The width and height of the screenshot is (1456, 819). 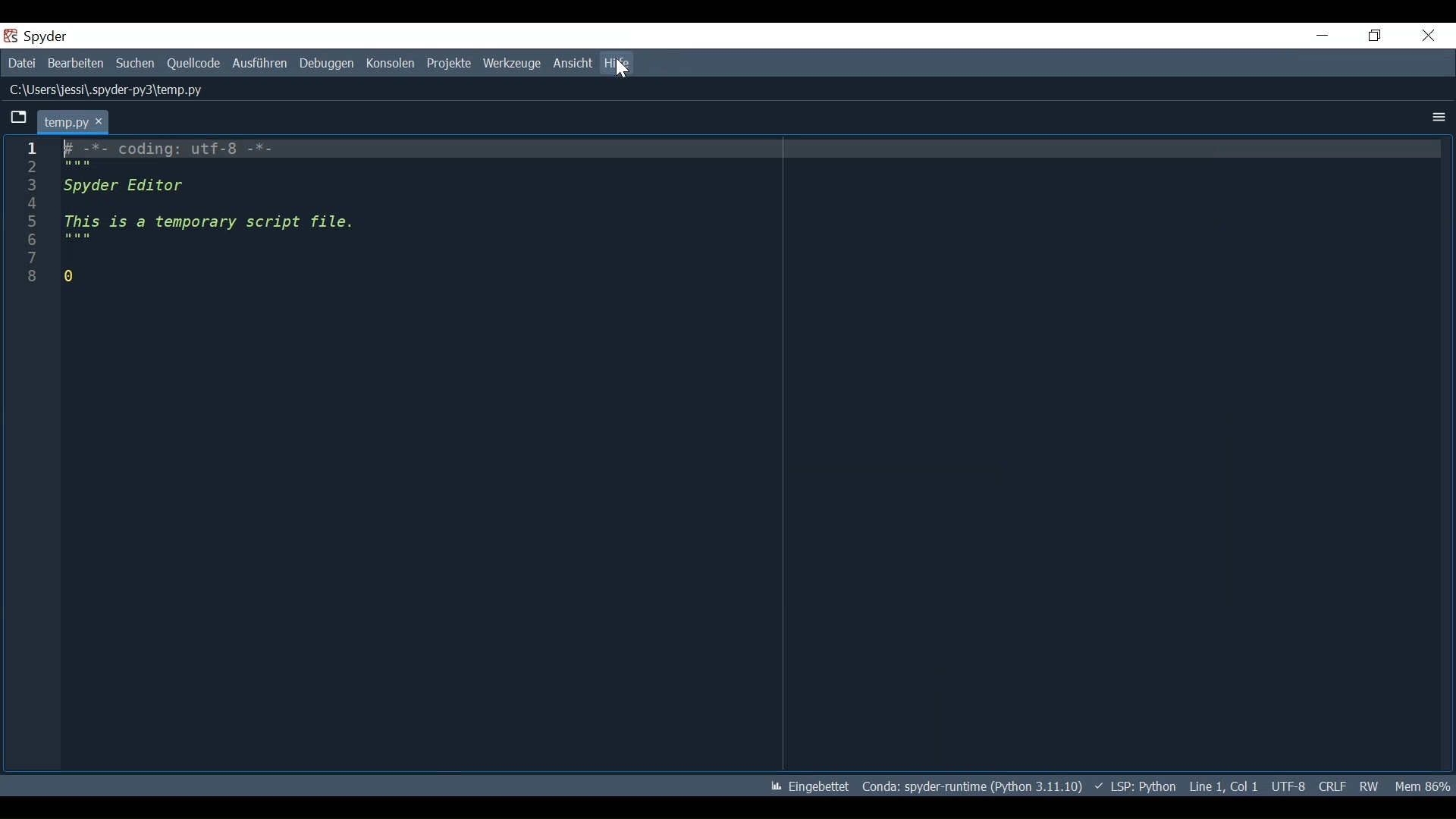 I want to click on UTF-8, so click(x=1289, y=786).